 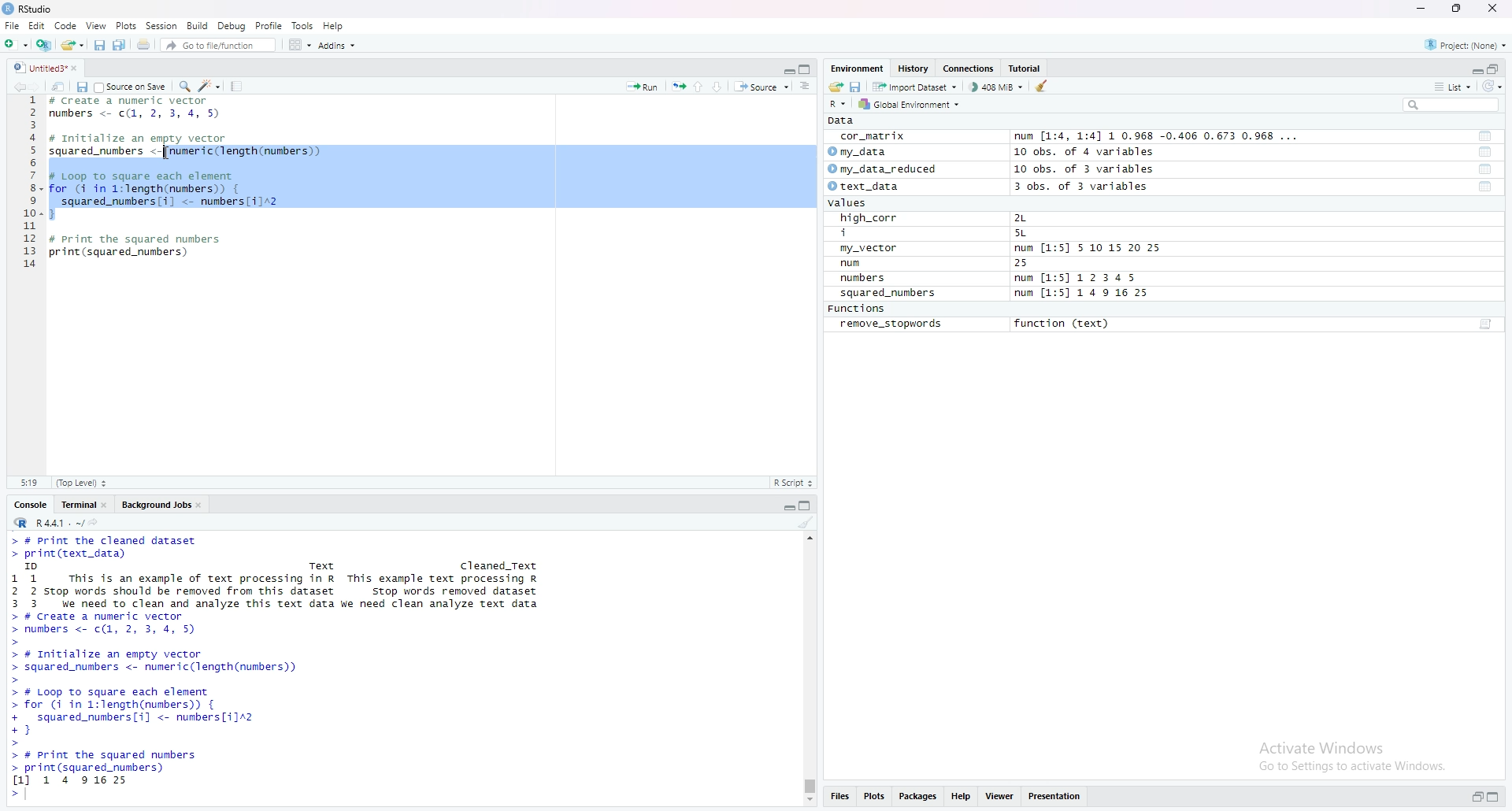 I want to click on Packages, so click(x=919, y=798).